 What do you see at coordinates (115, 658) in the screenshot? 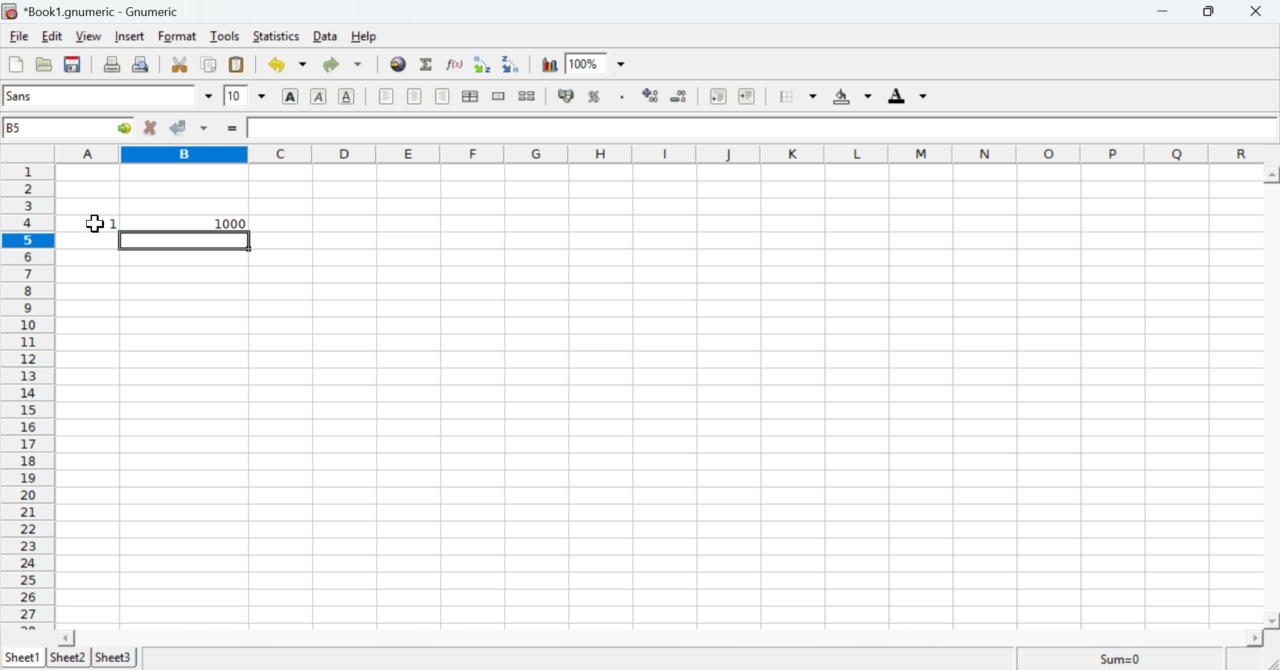
I see `Sheet 3` at bounding box center [115, 658].